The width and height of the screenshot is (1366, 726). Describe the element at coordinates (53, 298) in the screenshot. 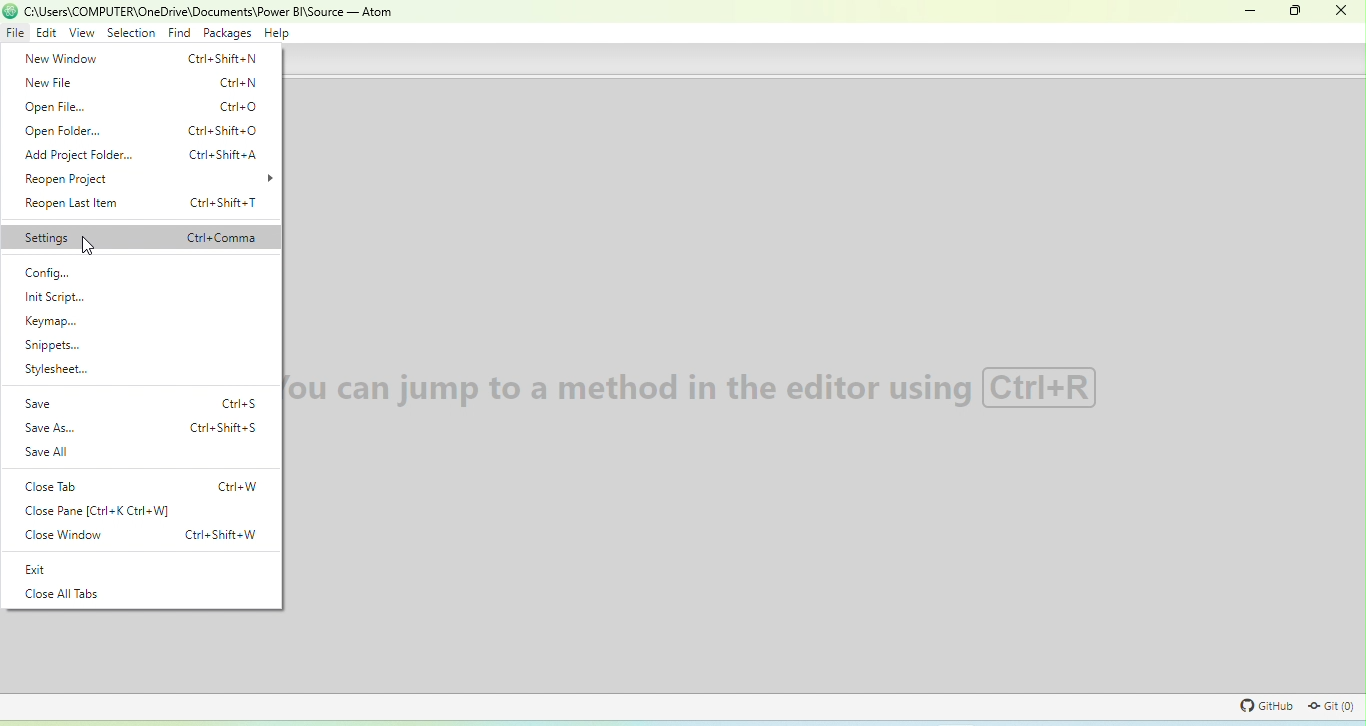

I see `init script` at that location.